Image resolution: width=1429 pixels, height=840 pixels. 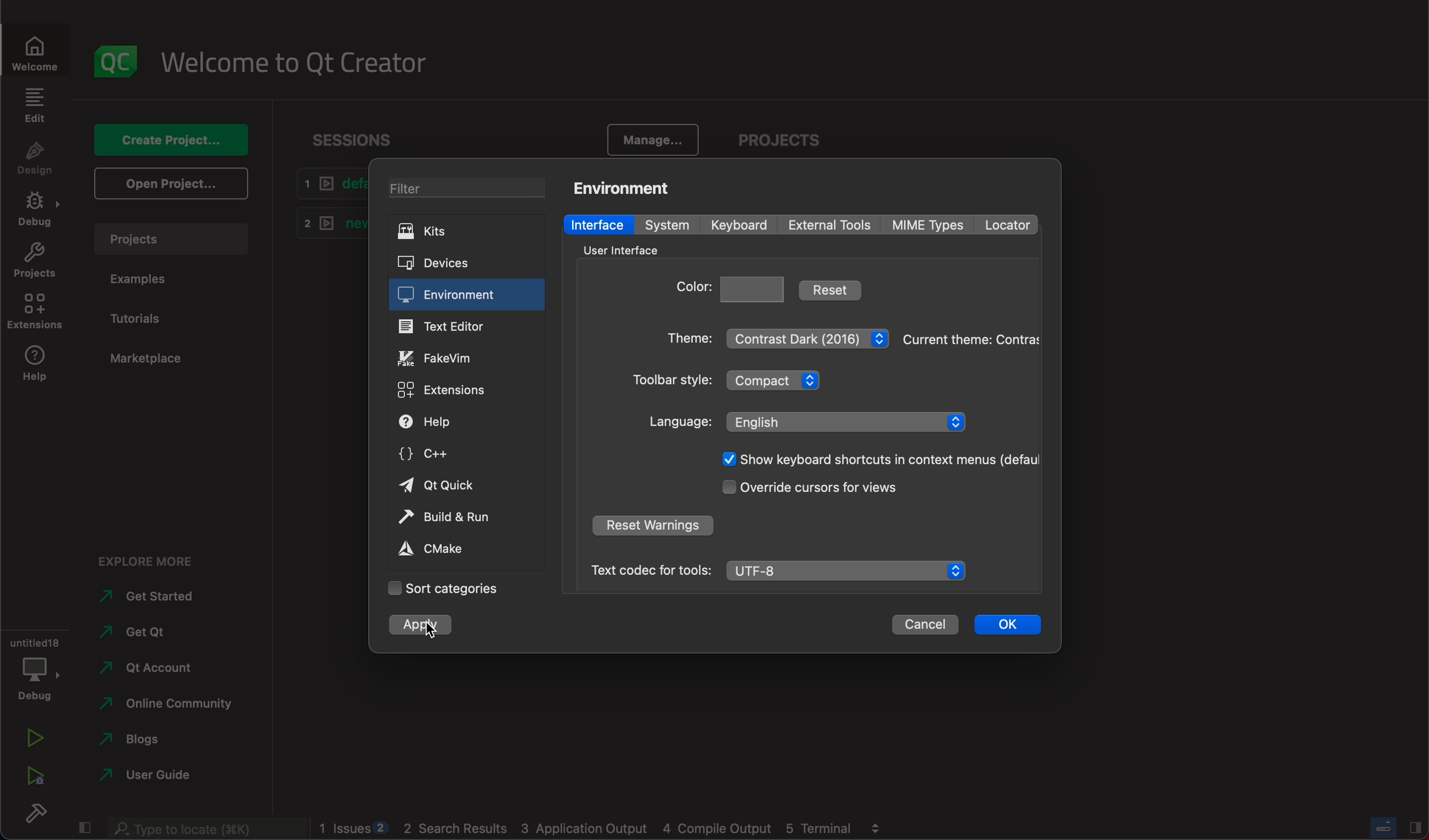 I want to click on run, so click(x=32, y=740).